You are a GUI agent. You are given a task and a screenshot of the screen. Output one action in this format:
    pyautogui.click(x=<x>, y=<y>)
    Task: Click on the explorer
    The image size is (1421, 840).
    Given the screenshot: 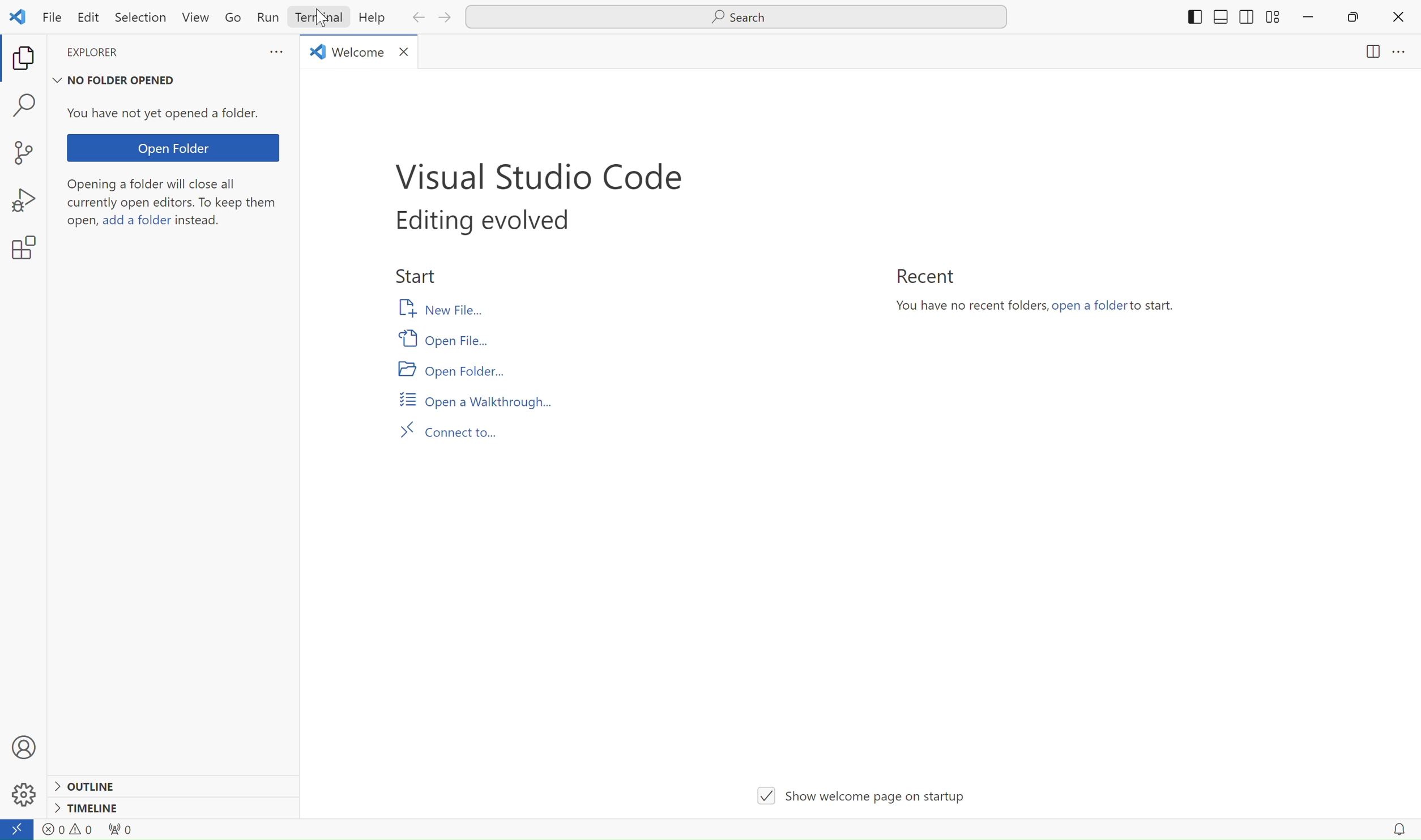 What is the action you would take?
    pyautogui.click(x=116, y=53)
    